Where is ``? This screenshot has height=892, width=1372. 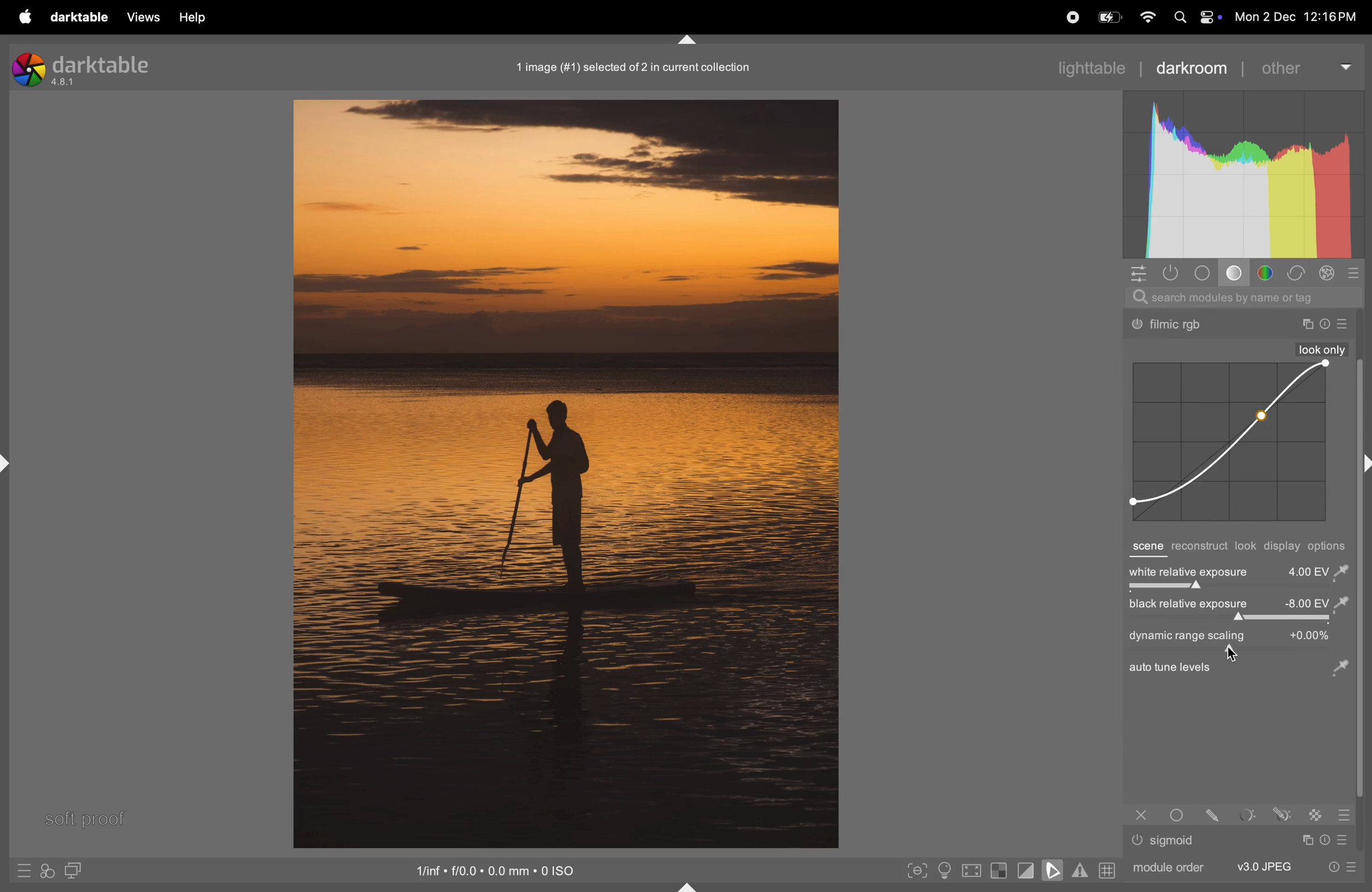
 is located at coordinates (1180, 814).